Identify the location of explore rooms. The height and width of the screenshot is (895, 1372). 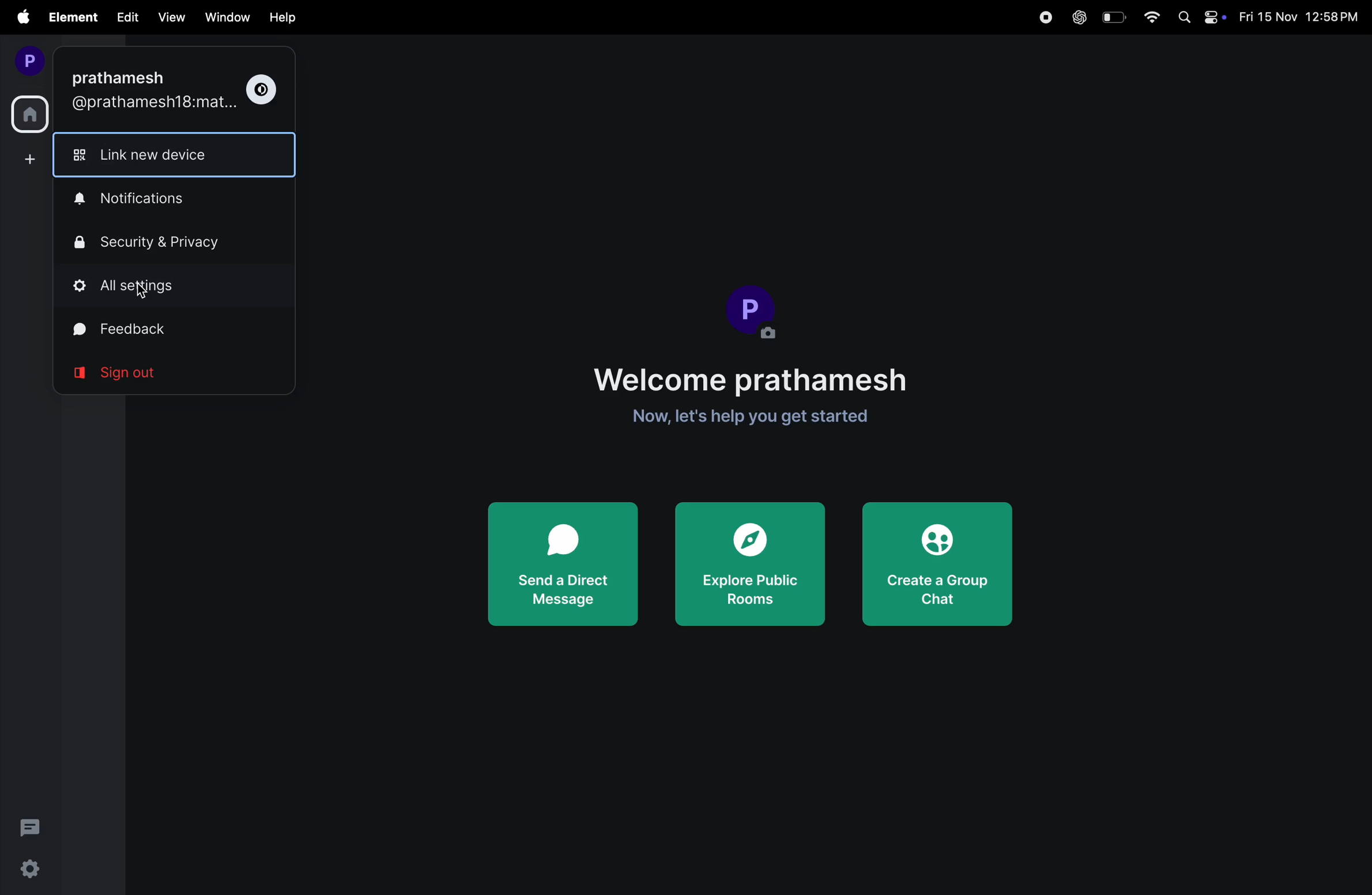
(750, 564).